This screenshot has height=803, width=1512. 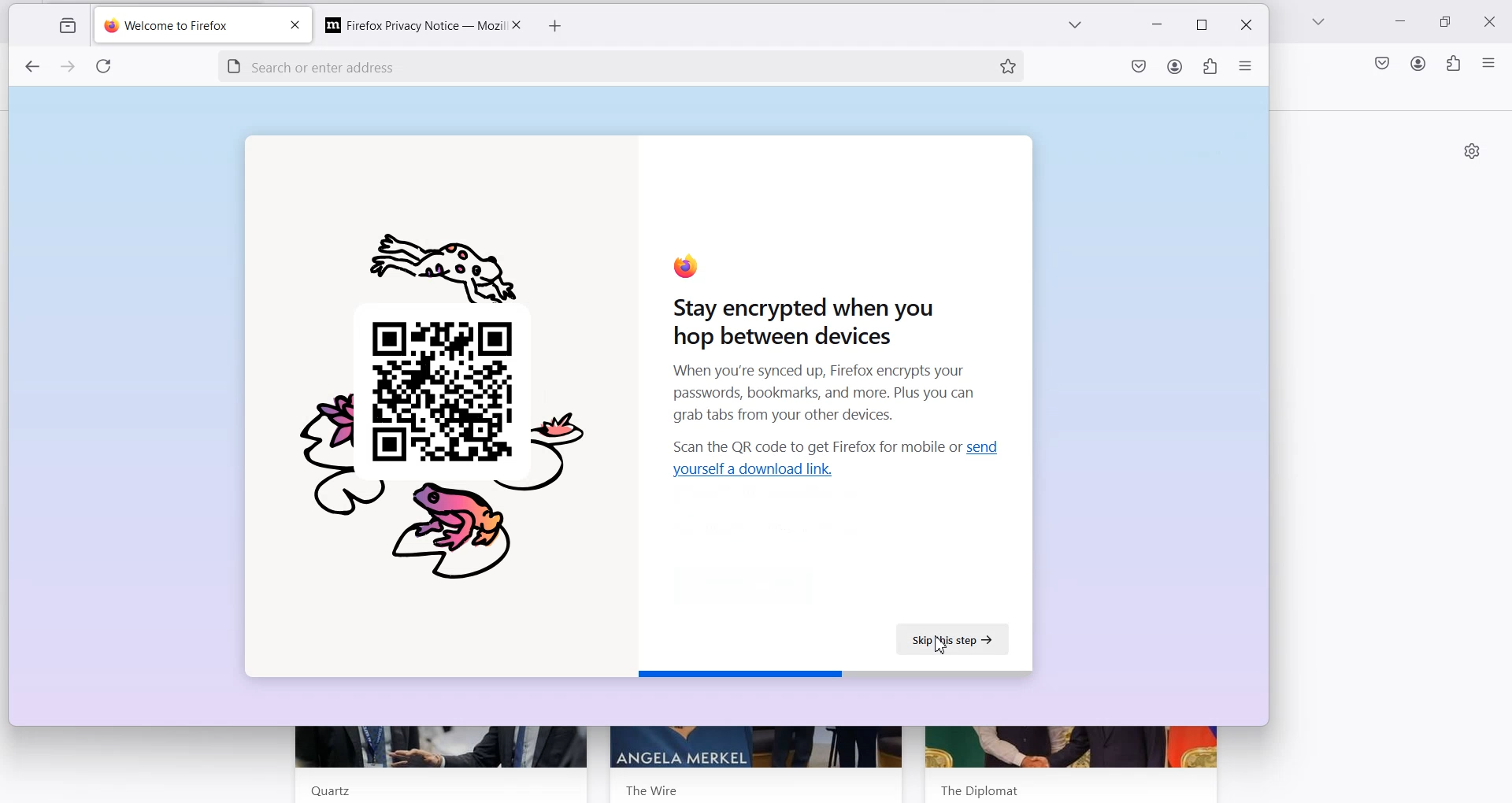 I want to click on Save to Pocket, so click(x=1380, y=63).